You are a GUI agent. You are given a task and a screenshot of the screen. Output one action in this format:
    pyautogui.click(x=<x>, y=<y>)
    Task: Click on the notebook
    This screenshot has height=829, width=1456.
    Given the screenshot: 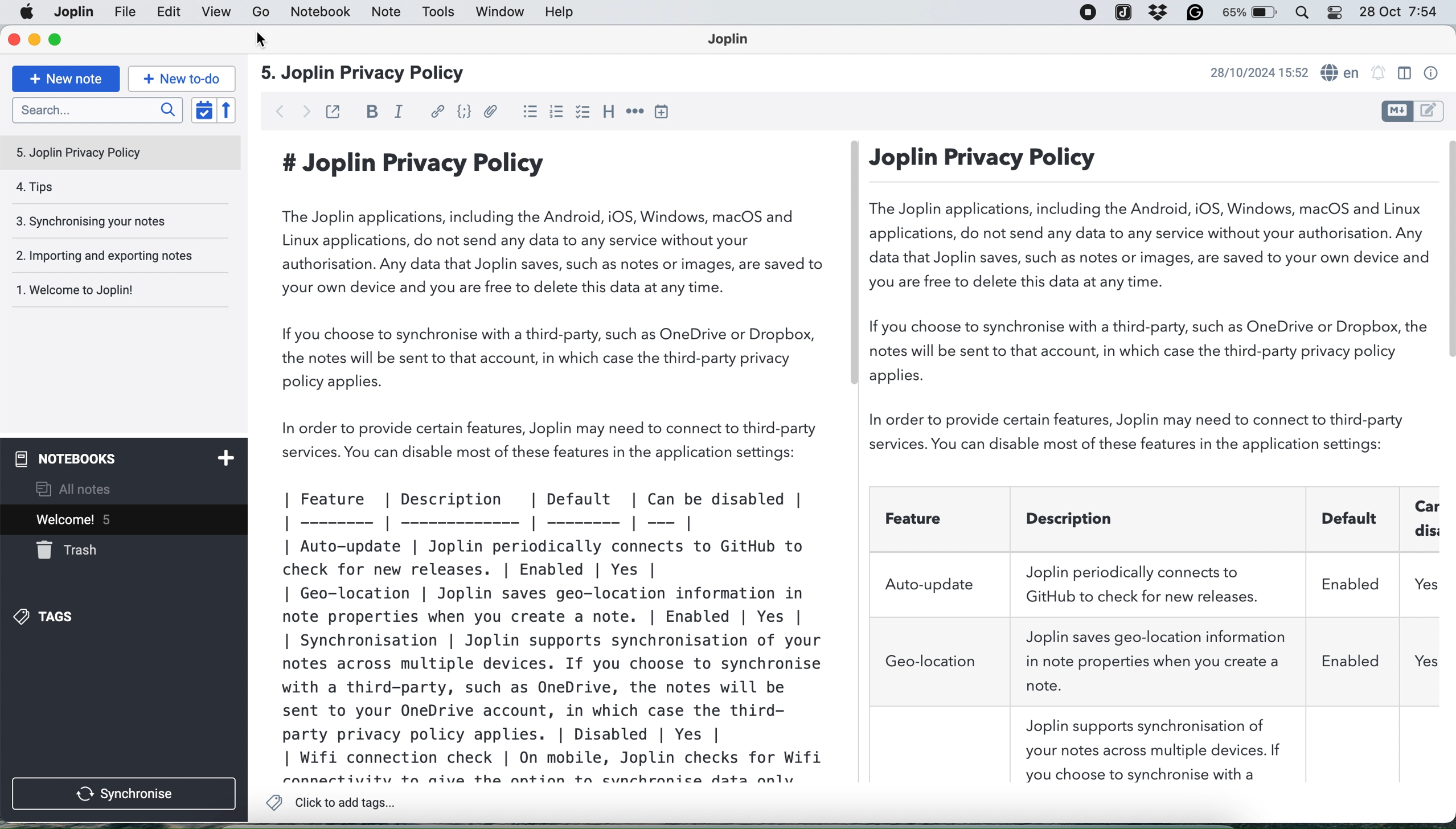 What is the action you would take?
    pyautogui.click(x=323, y=13)
    